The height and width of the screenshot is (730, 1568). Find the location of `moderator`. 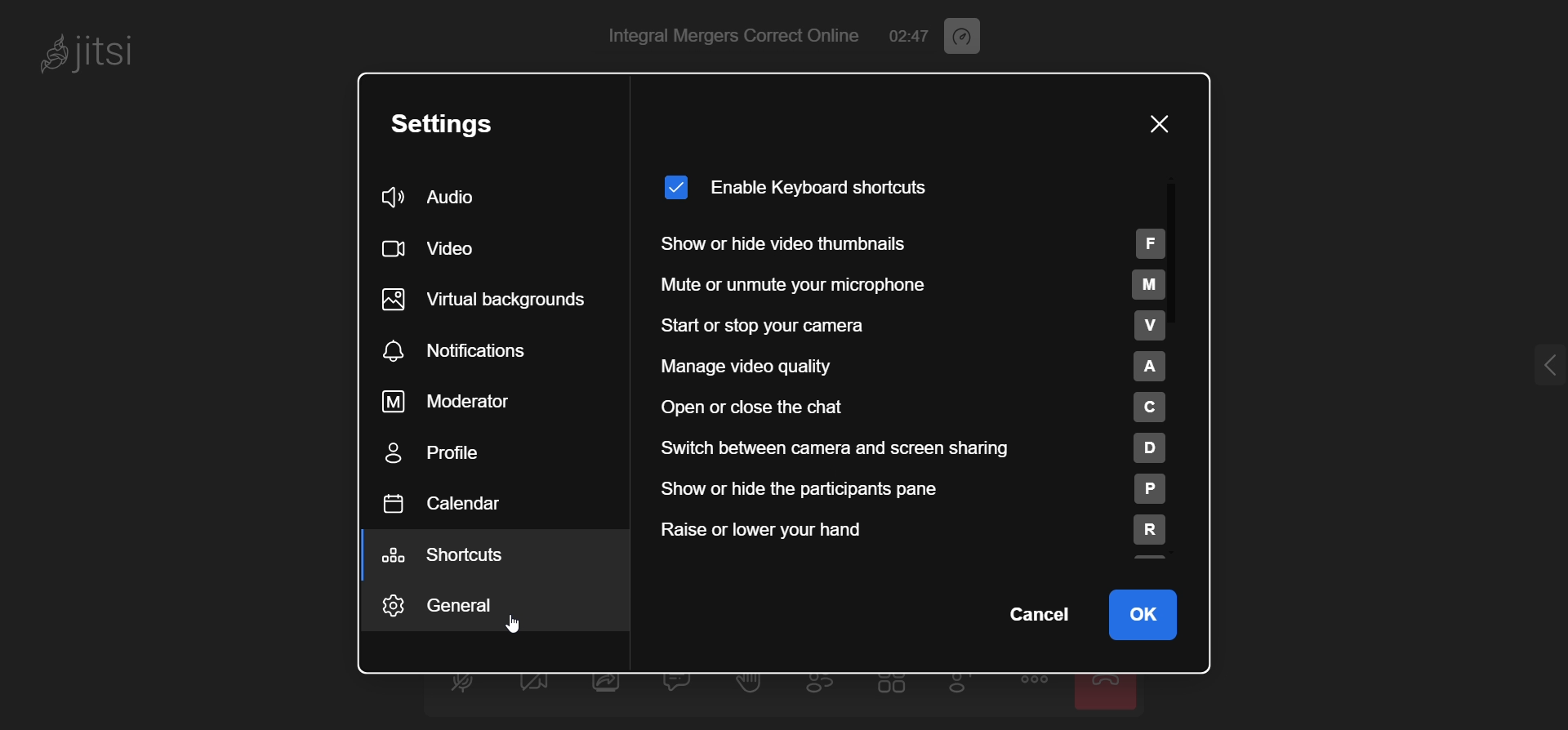

moderator is located at coordinates (456, 402).